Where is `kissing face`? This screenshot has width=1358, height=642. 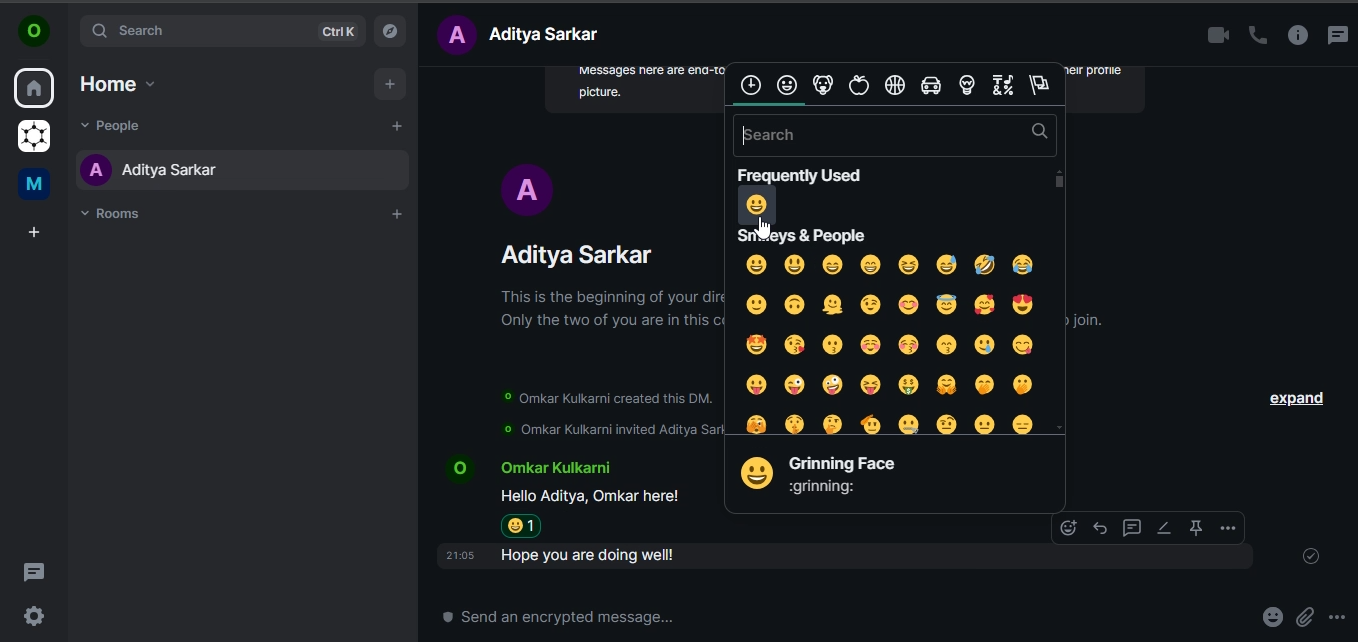
kissing face is located at coordinates (835, 344).